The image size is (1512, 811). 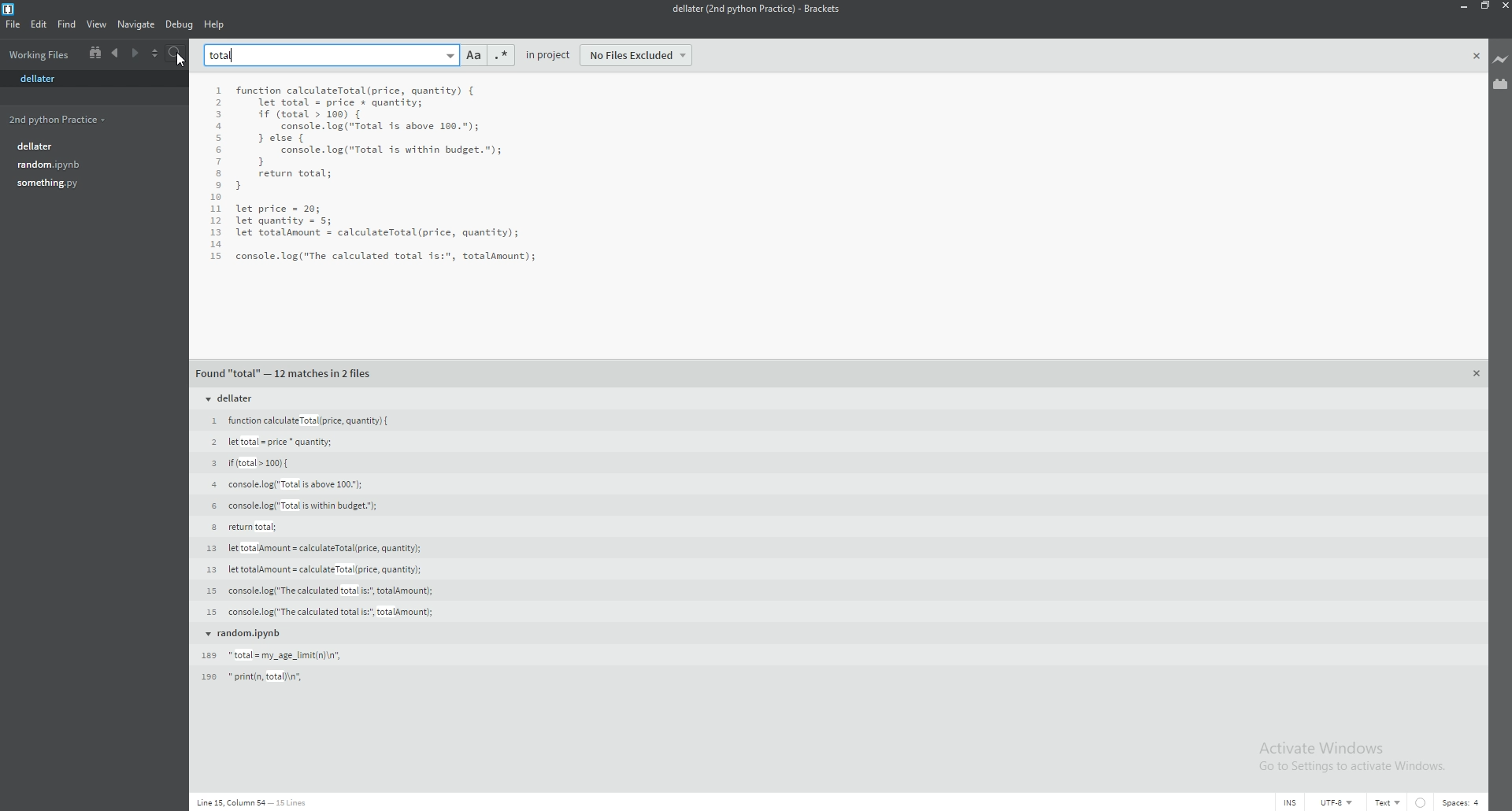 I want to click on match case, so click(x=474, y=55).